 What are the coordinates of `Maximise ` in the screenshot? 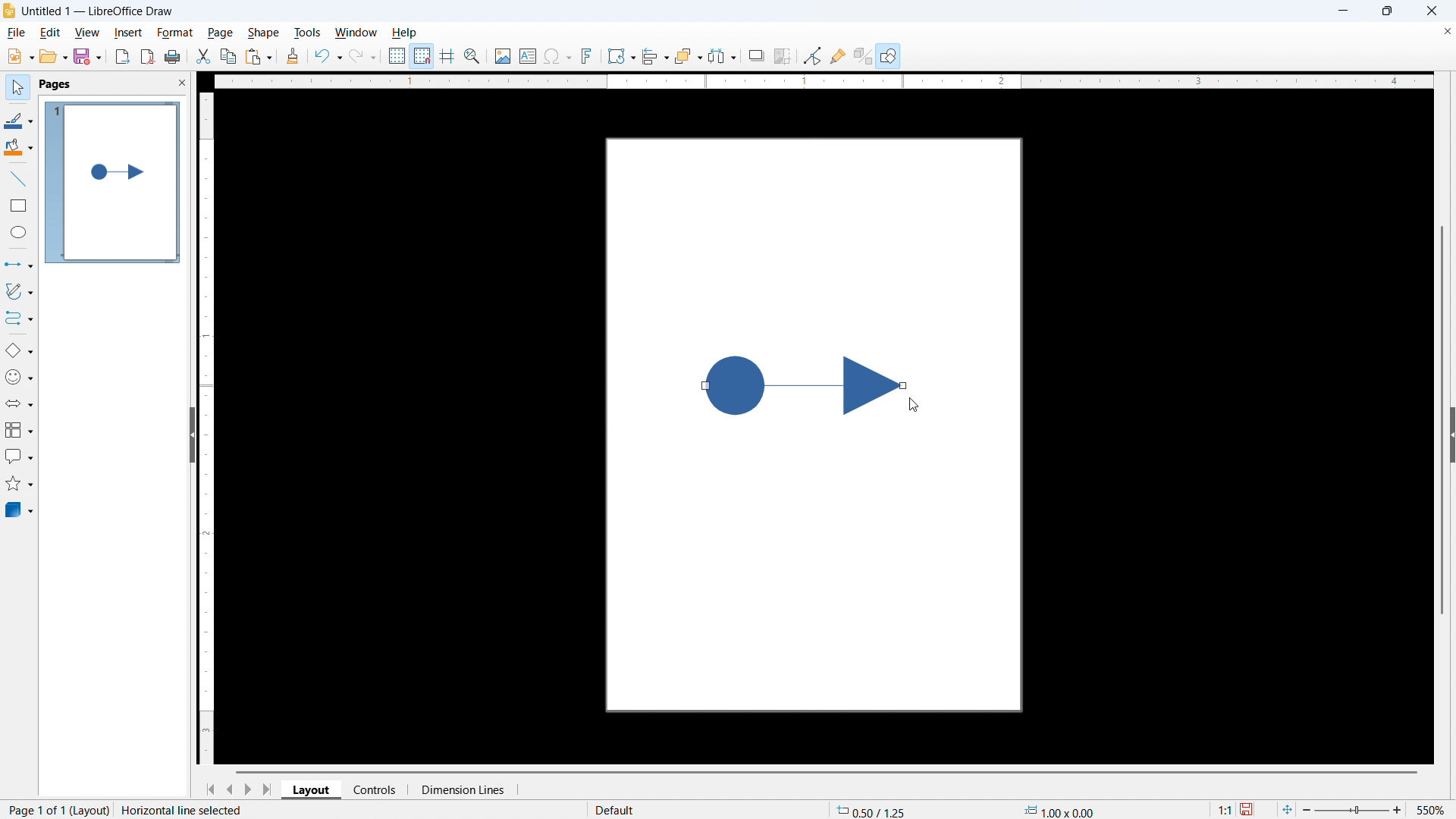 It's located at (1388, 11).